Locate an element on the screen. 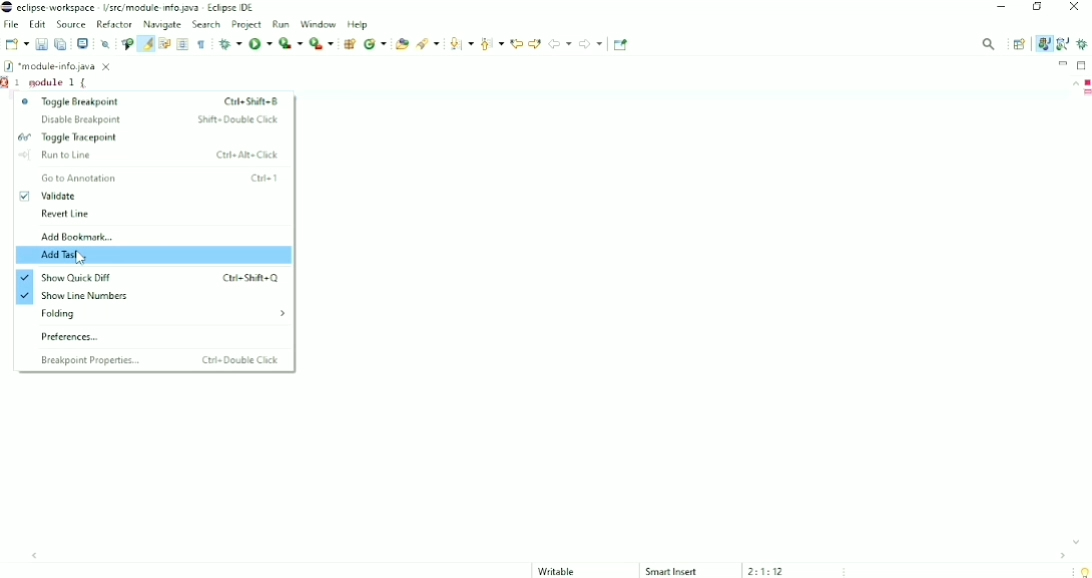  Vertical scrollbar is located at coordinates (1070, 313).